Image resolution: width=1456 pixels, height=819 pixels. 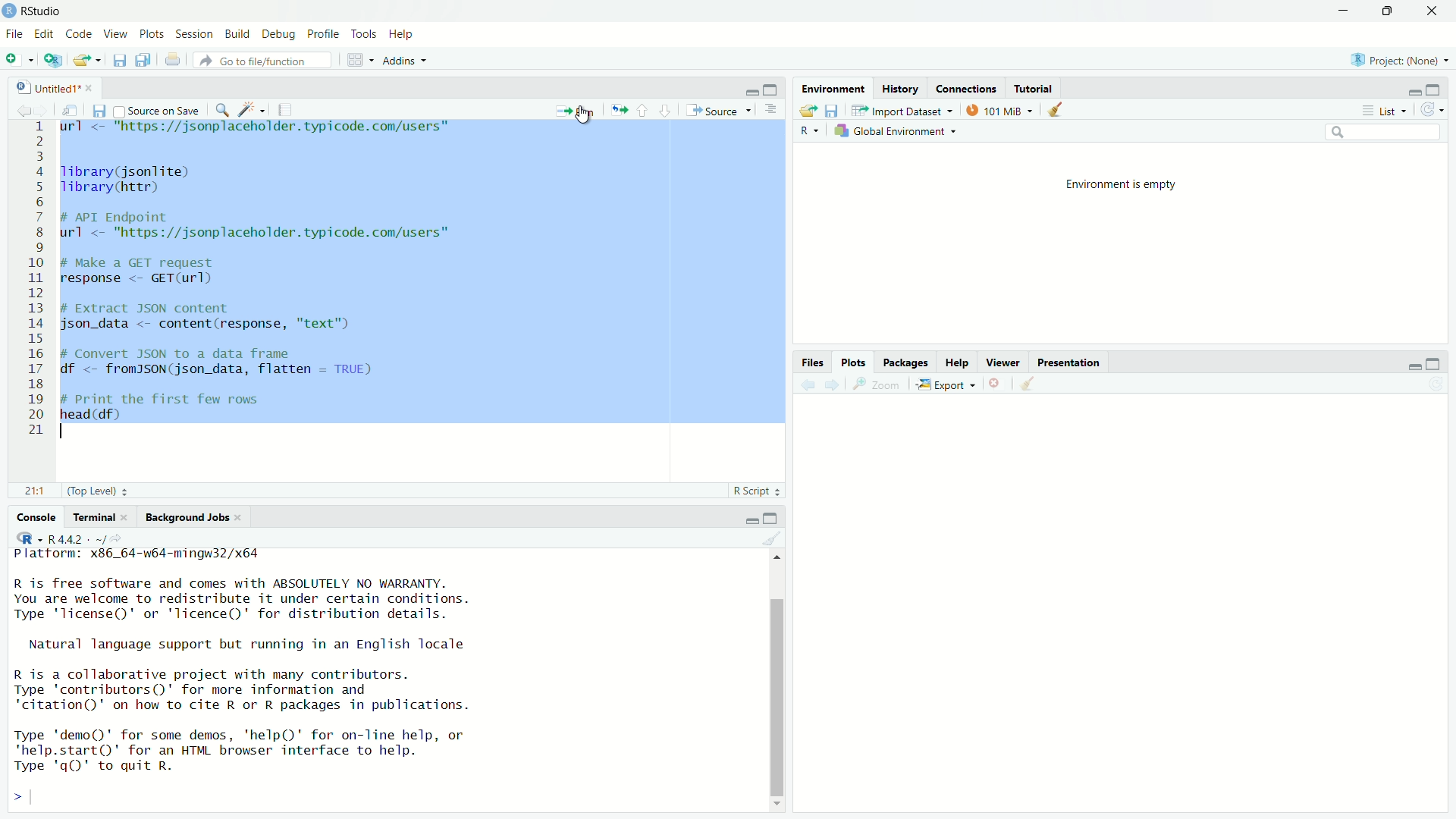 What do you see at coordinates (249, 645) in the screenshot?
I see `Natural language support but running in an English locale` at bounding box center [249, 645].